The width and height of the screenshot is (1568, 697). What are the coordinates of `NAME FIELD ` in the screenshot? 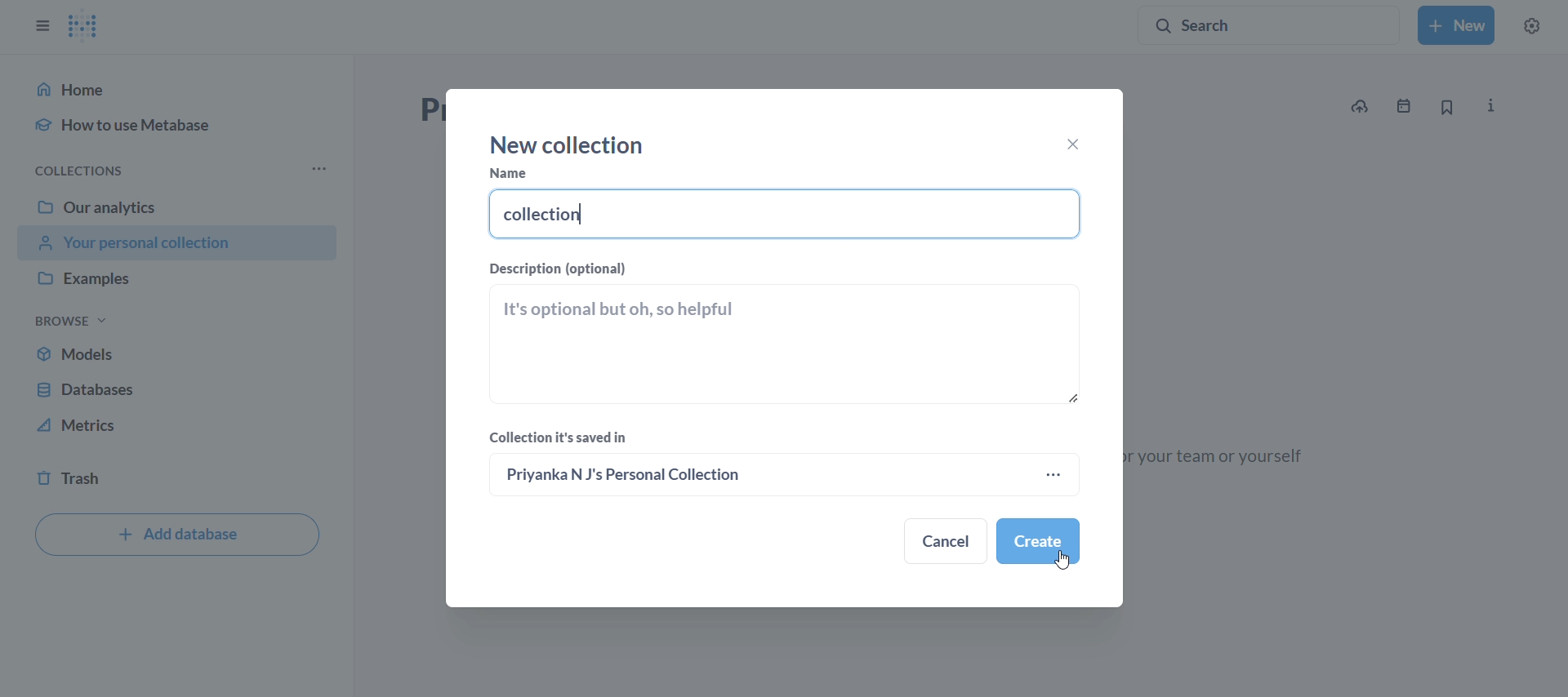 It's located at (786, 213).